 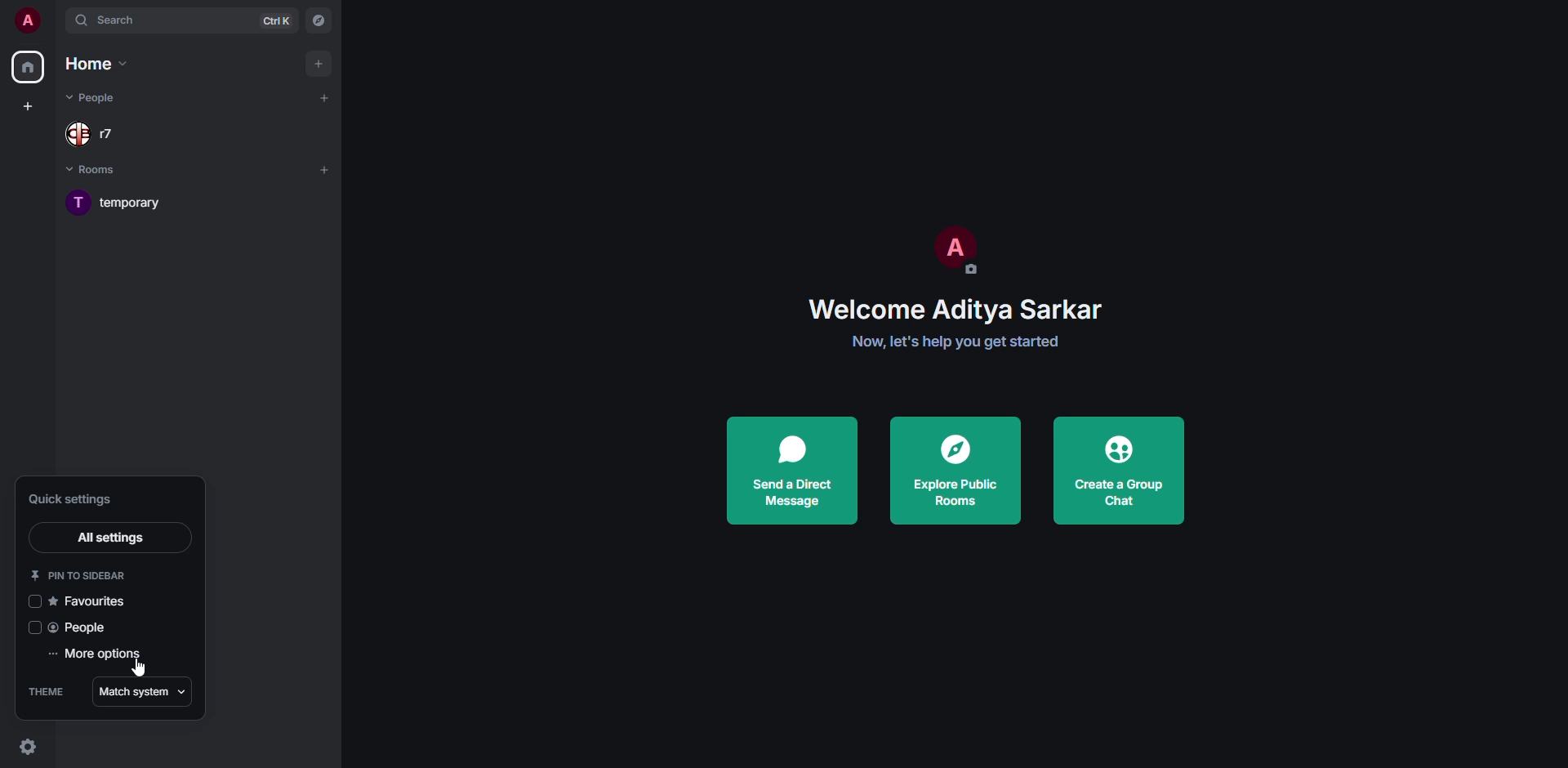 What do you see at coordinates (96, 63) in the screenshot?
I see `home` at bounding box center [96, 63].